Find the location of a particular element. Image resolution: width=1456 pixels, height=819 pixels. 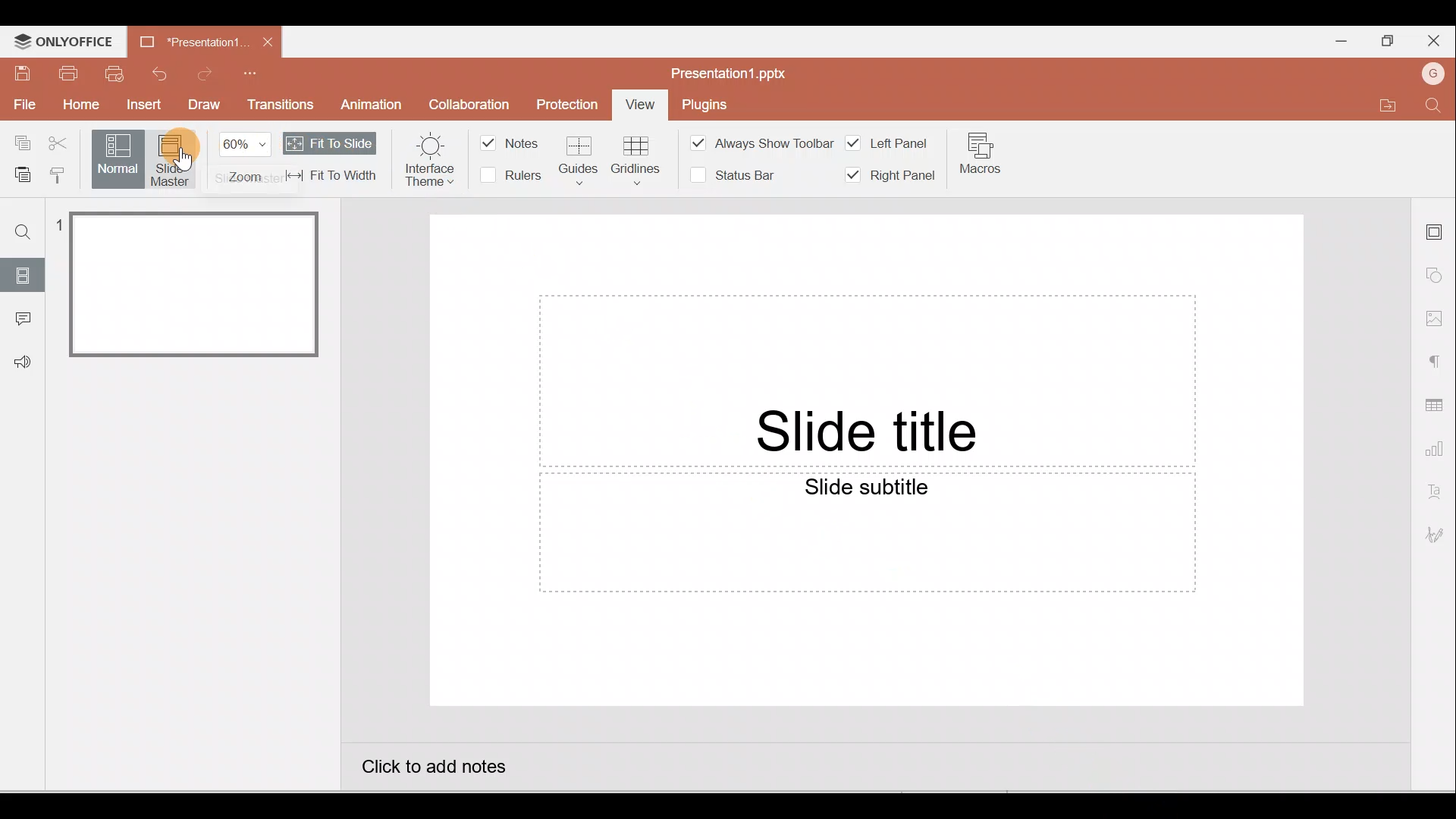

Notes is located at coordinates (514, 143).